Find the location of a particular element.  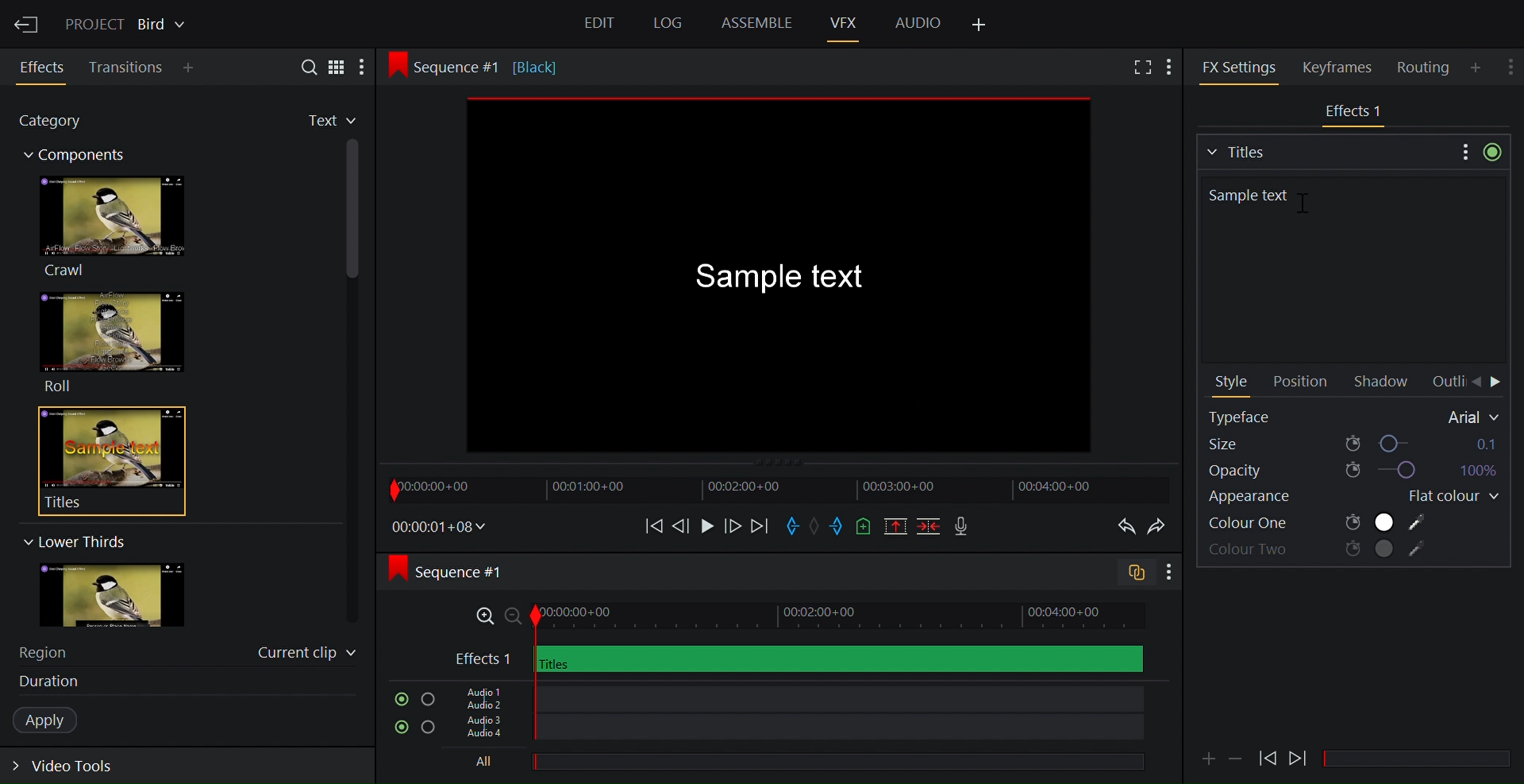

Play Forward is located at coordinates (1268, 758).